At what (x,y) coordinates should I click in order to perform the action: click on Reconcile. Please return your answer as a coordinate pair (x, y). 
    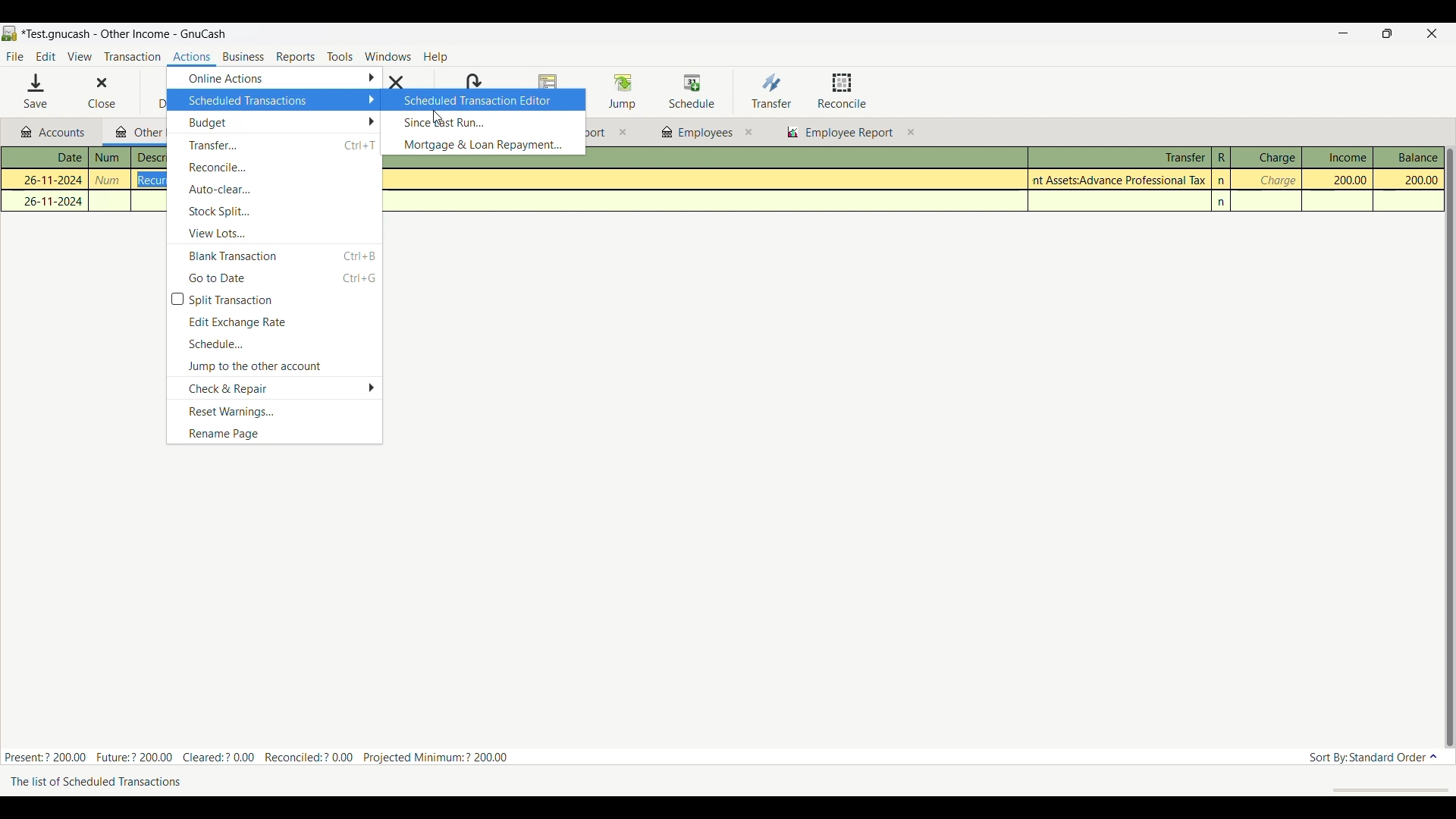
    Looking at the image, I should click on (275, 168).